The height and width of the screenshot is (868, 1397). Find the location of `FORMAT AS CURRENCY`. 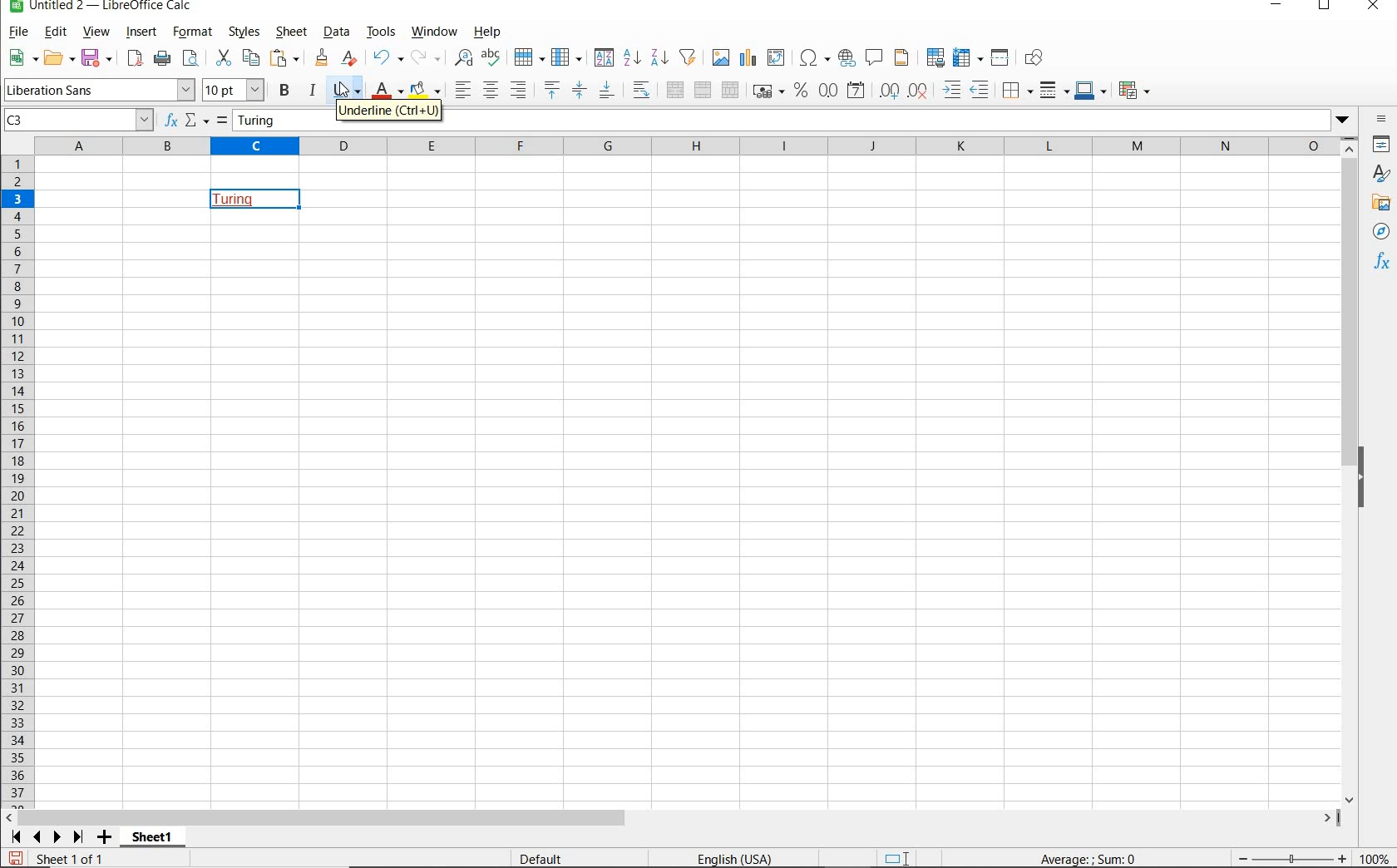

FORMAT AS CURRENCY is located at coordinates (766, 91).